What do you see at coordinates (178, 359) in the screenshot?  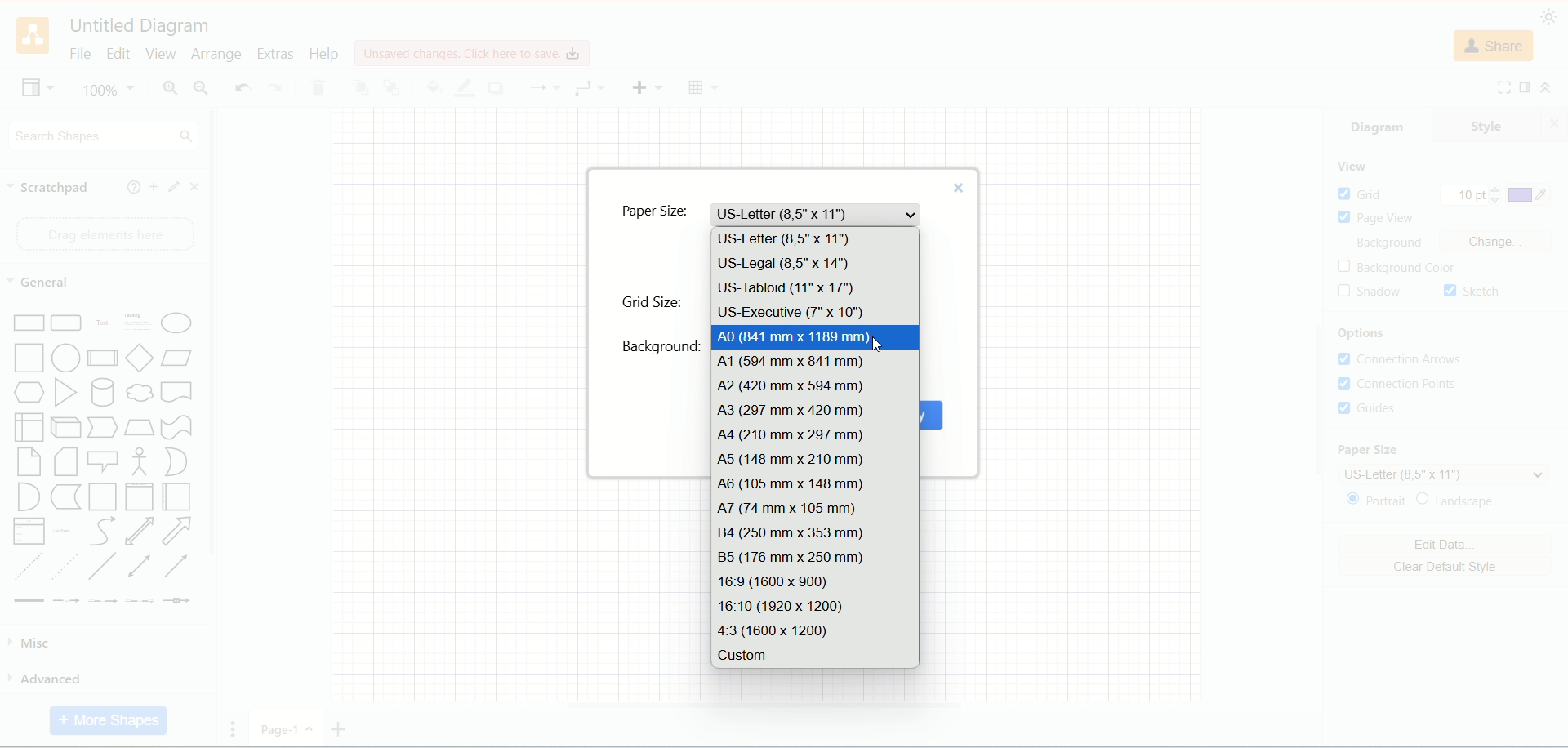 I see `Parallelogram` at bounding box center [178, 359].